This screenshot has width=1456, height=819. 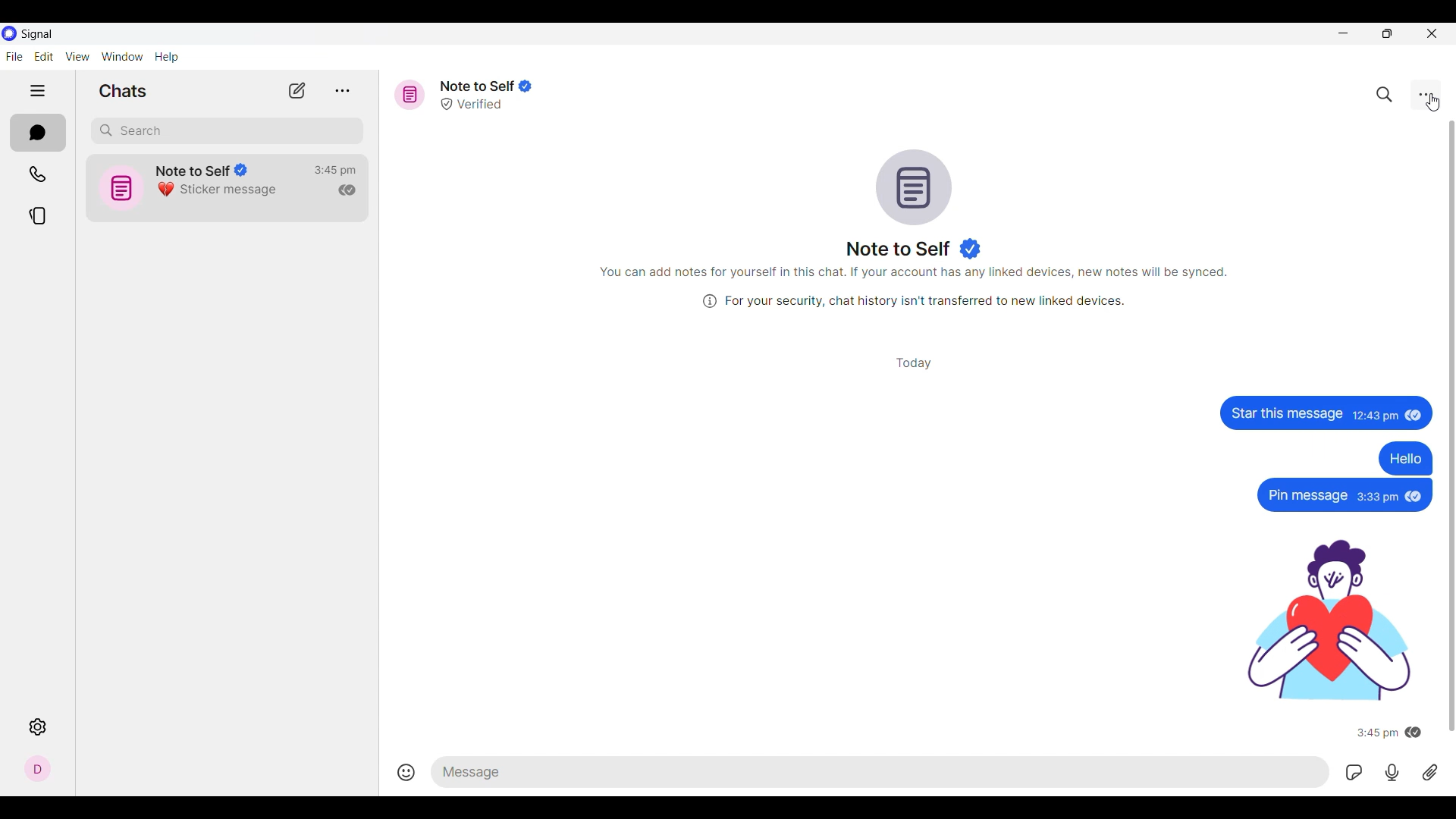 What do you see at coordinates (908, 272) in the screenshot?
I see `You can add notes for yourself in this chat. If your account has any linked devices, new notes will be synced.` at bounding box center [908, 272].